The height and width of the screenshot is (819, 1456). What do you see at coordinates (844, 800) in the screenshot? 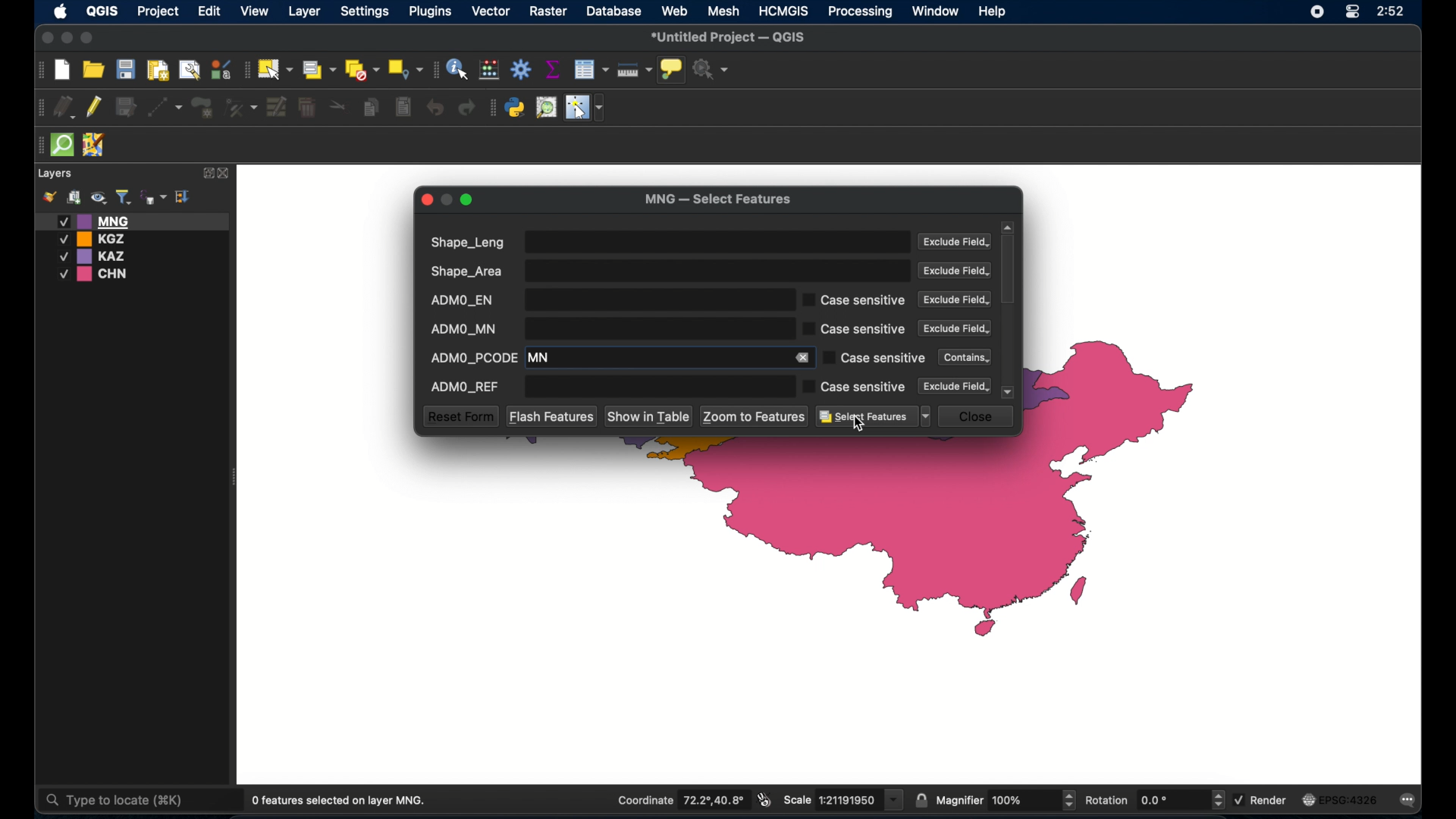
I see `scale 1:21191950` at bounding box center [844, 800].